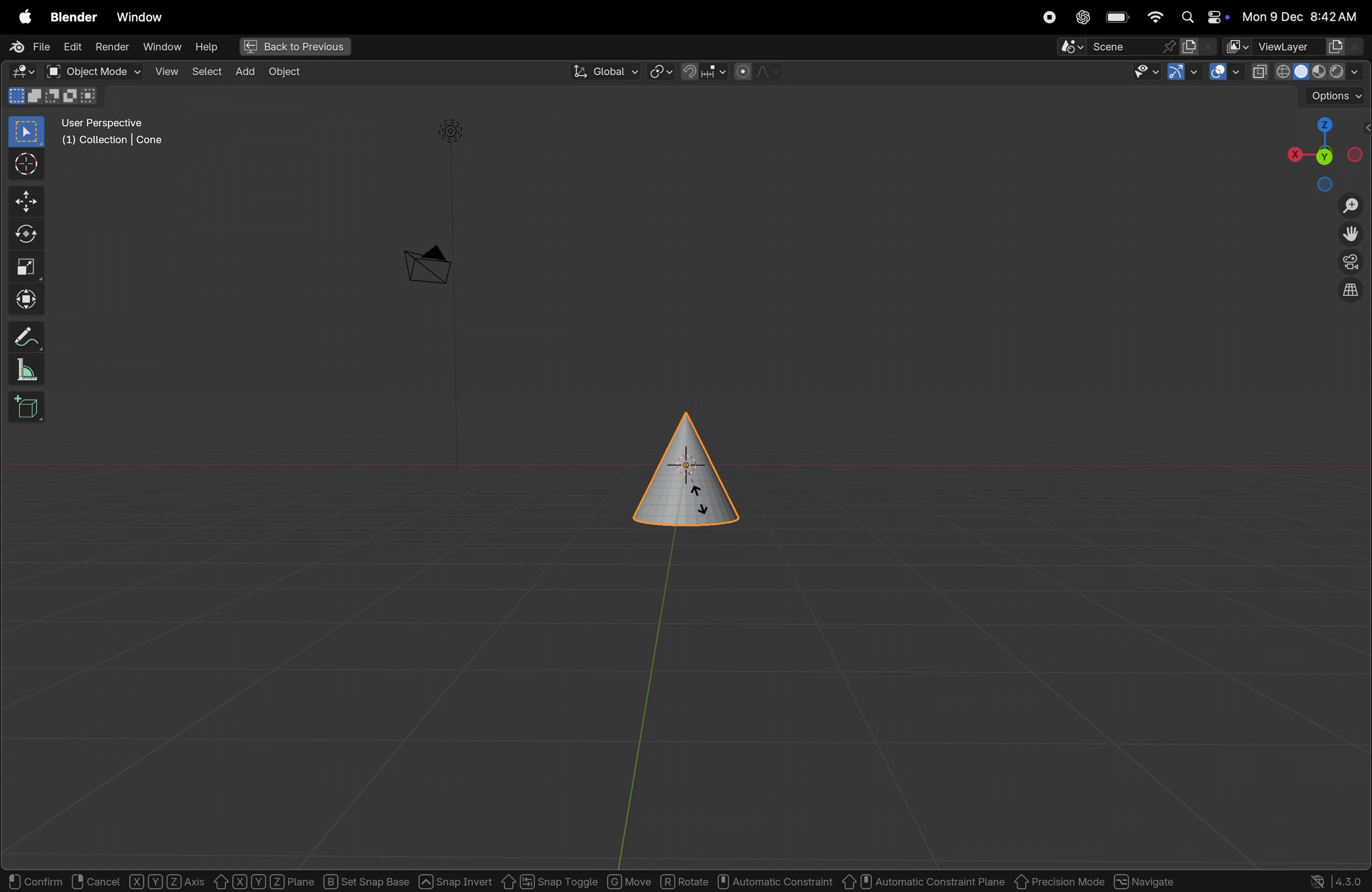  I want to click on help, so click(210, 48).